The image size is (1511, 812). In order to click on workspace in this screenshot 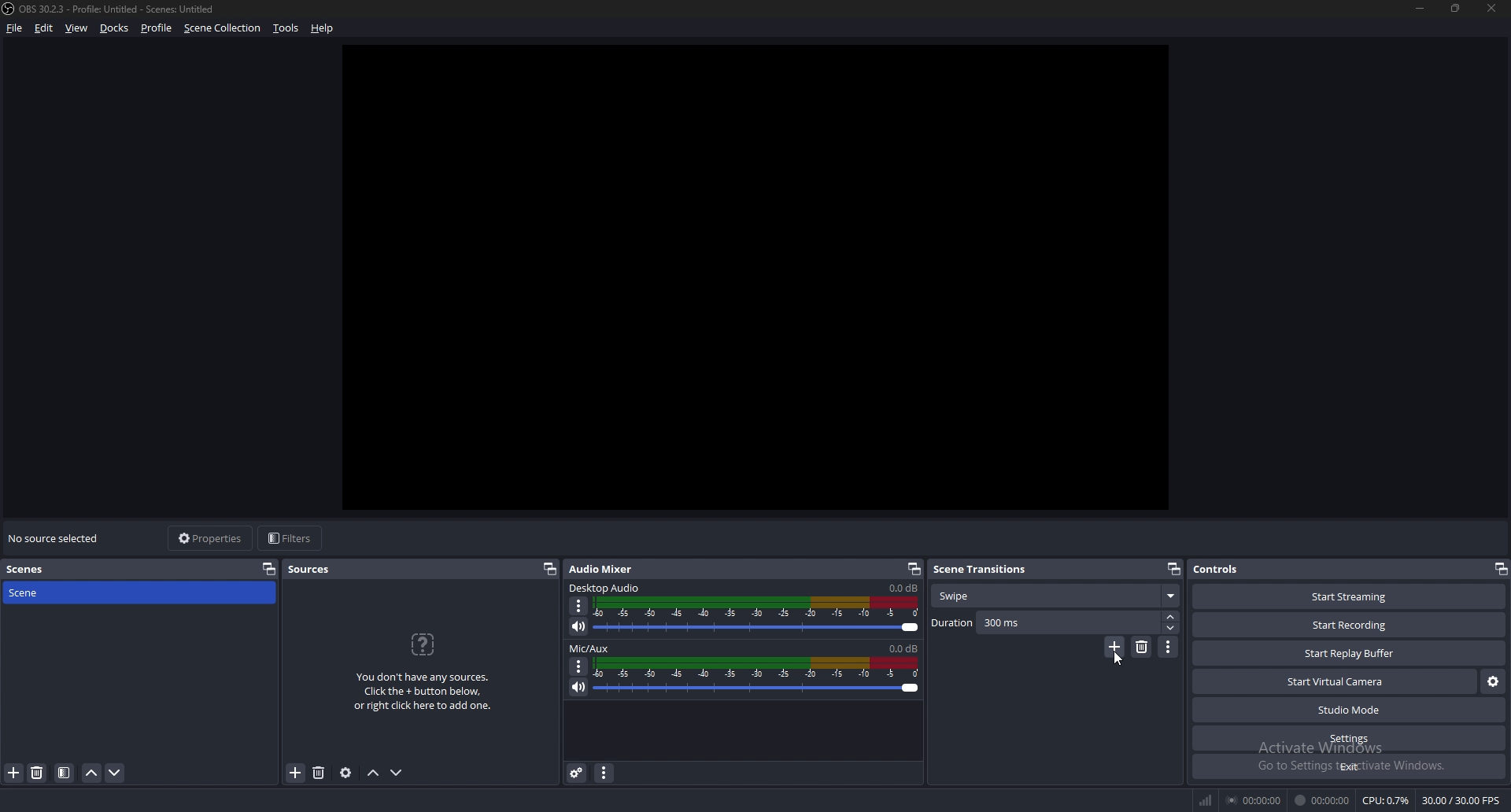, I will do `click(765, 275)`.